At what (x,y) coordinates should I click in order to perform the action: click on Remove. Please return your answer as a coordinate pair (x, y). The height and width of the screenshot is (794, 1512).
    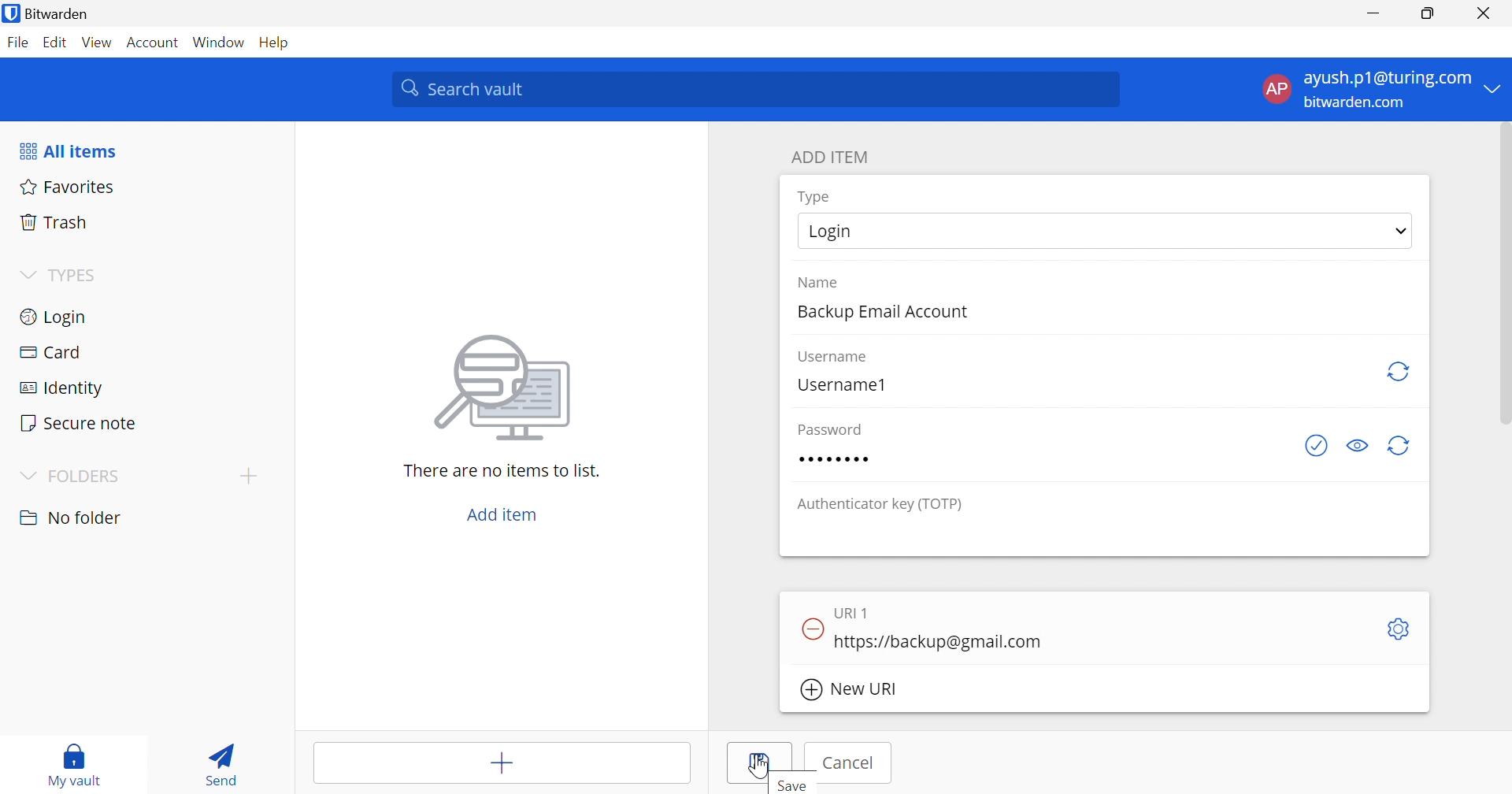
    Looking at the image, I should click on (811, 627).